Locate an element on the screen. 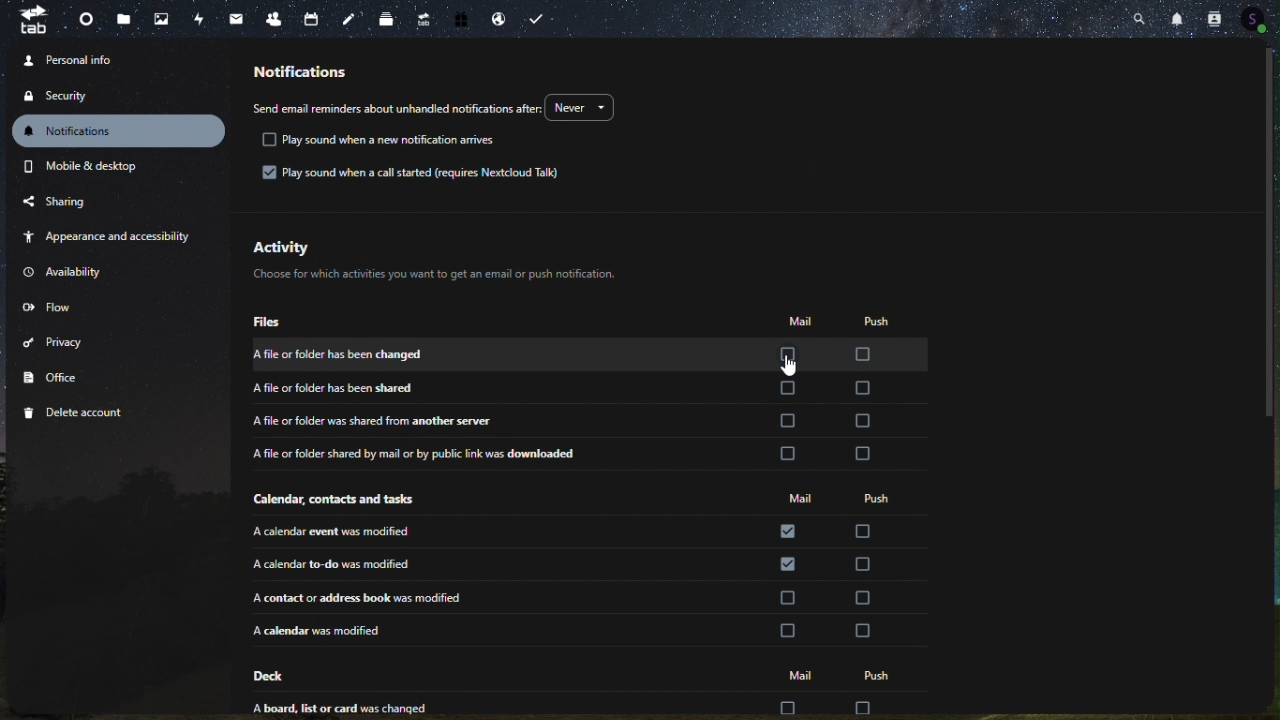 The height and width of the screenshot is (720, 1280). cursor is located at coordinates (791, 366).